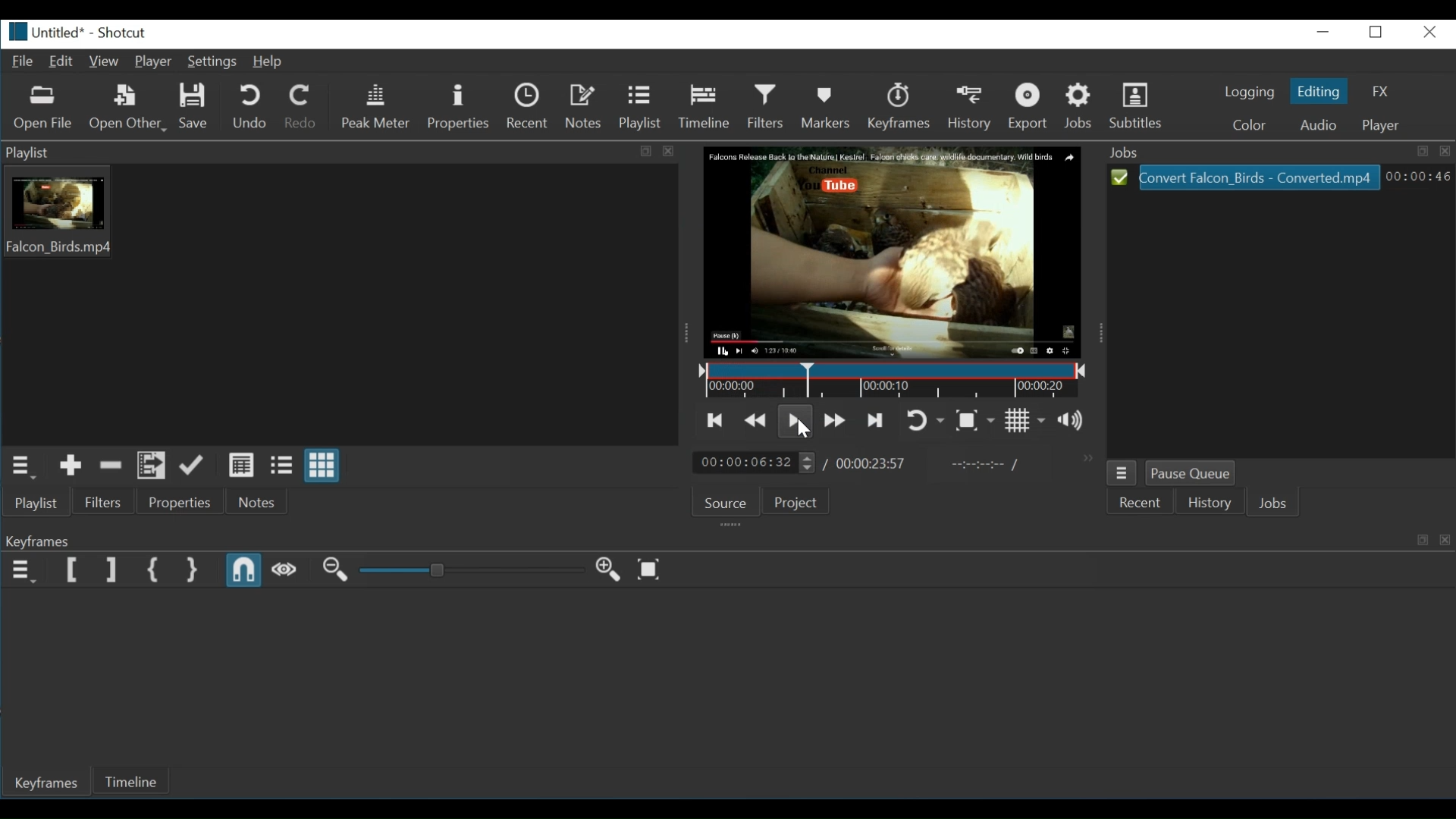 This screenshot has height=819, width=1456. Describe the element at coordinates (1193, 473) in the screenshot. I see `Pause Queue` at that location.